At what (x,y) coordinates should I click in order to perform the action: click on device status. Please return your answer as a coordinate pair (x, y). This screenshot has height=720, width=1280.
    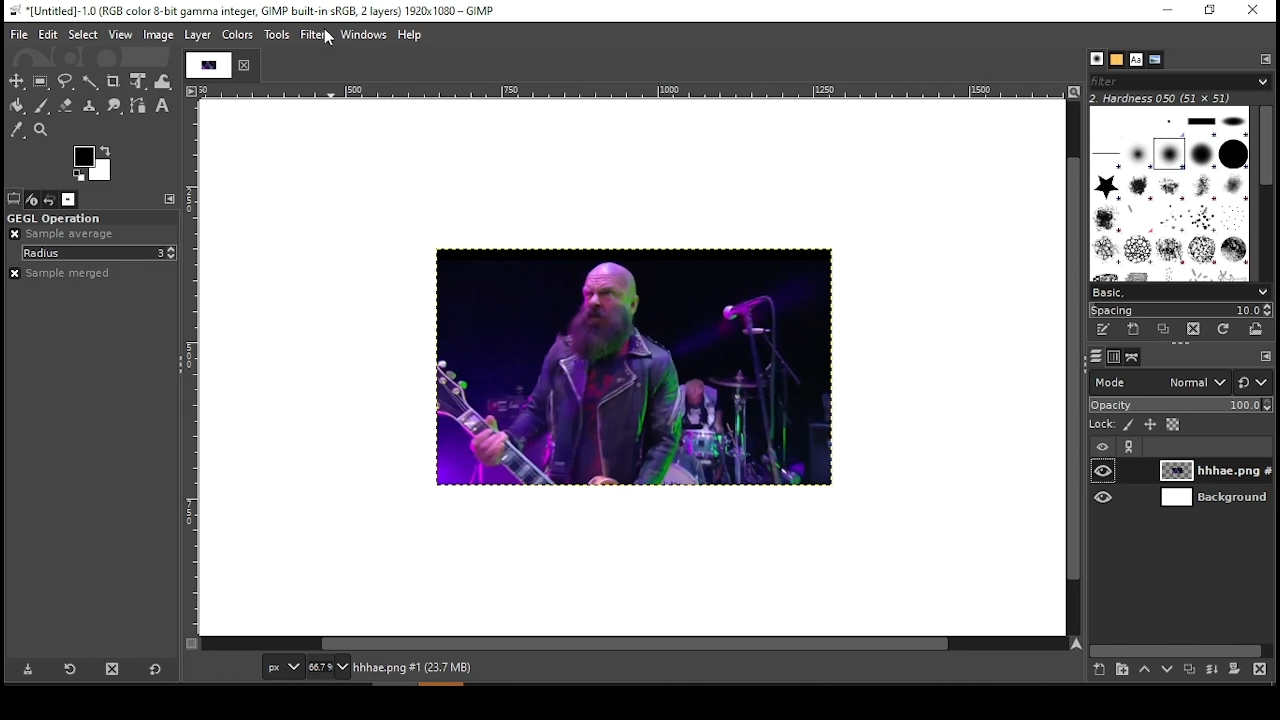
    Looking at the image, I should click on (31, 198).